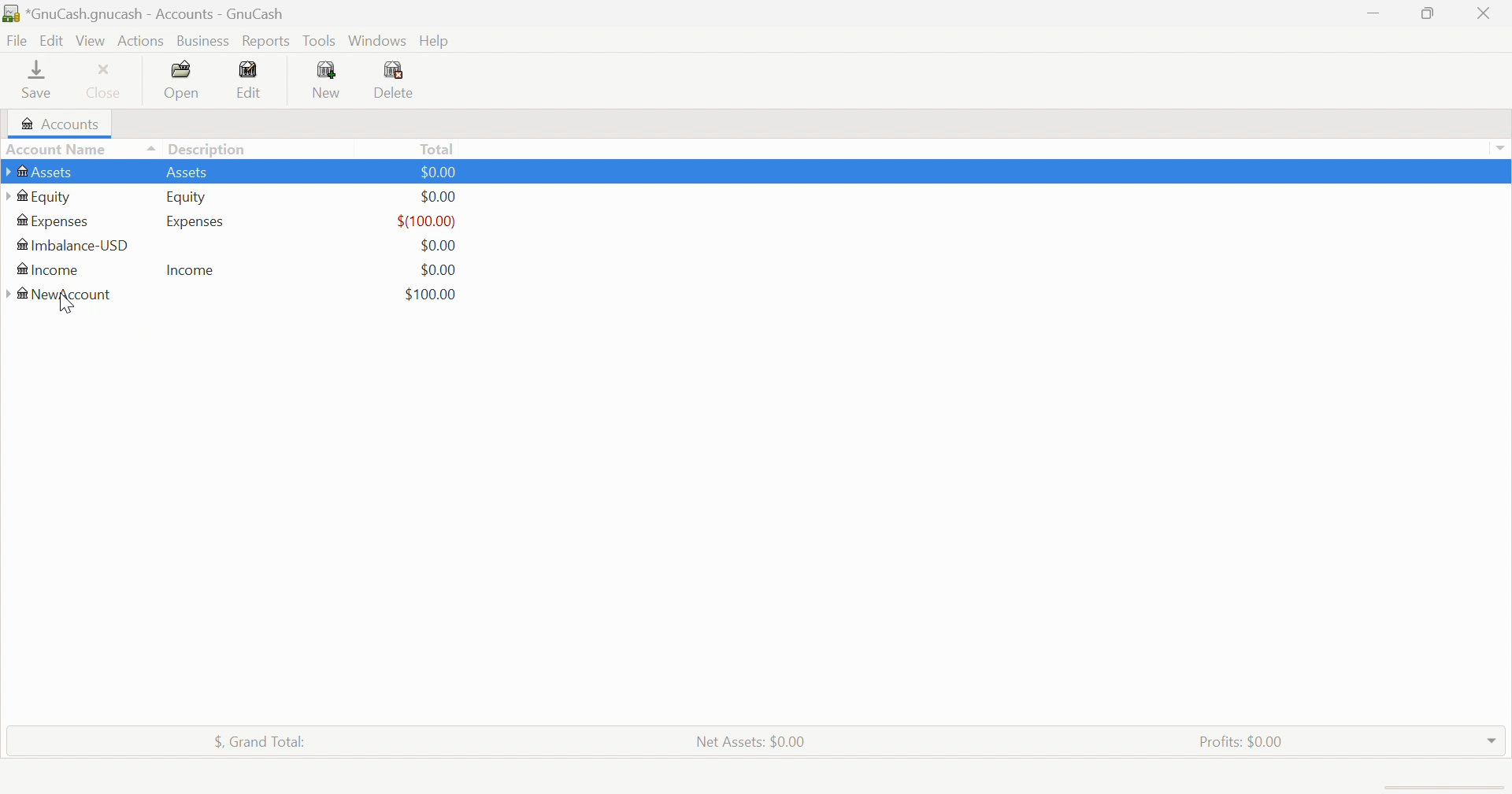 The width and height of the screenshot is (1512, 794). What do you see at coordinates (1373, 11) in the screenshot?
I see `Minimize` at bounding box center [1373, 11].